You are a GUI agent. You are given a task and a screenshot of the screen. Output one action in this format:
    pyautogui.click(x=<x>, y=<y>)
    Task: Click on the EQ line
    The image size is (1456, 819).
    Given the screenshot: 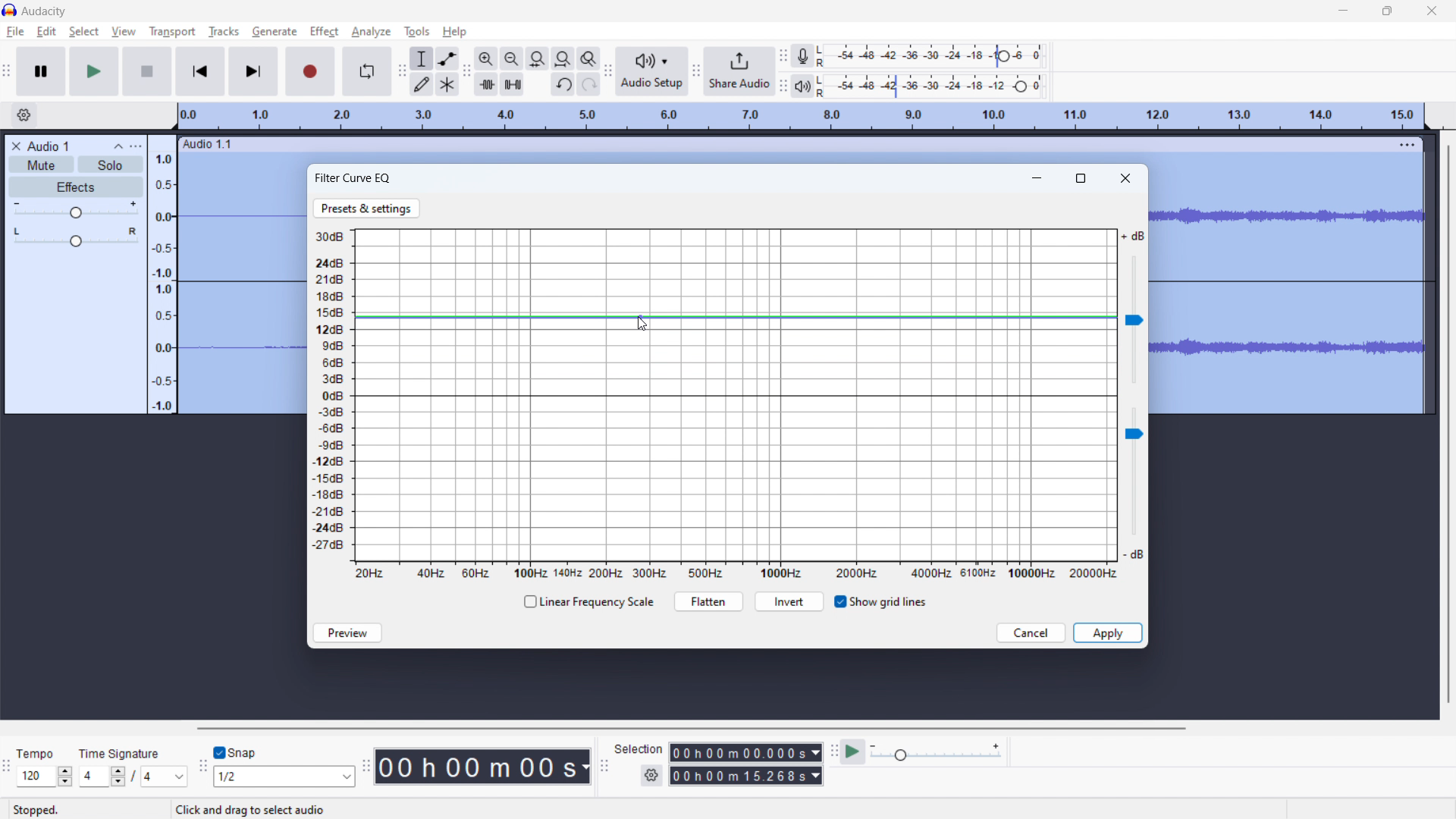 What is the action you would take?
    pyautogui.click(x=735, y=396)
    